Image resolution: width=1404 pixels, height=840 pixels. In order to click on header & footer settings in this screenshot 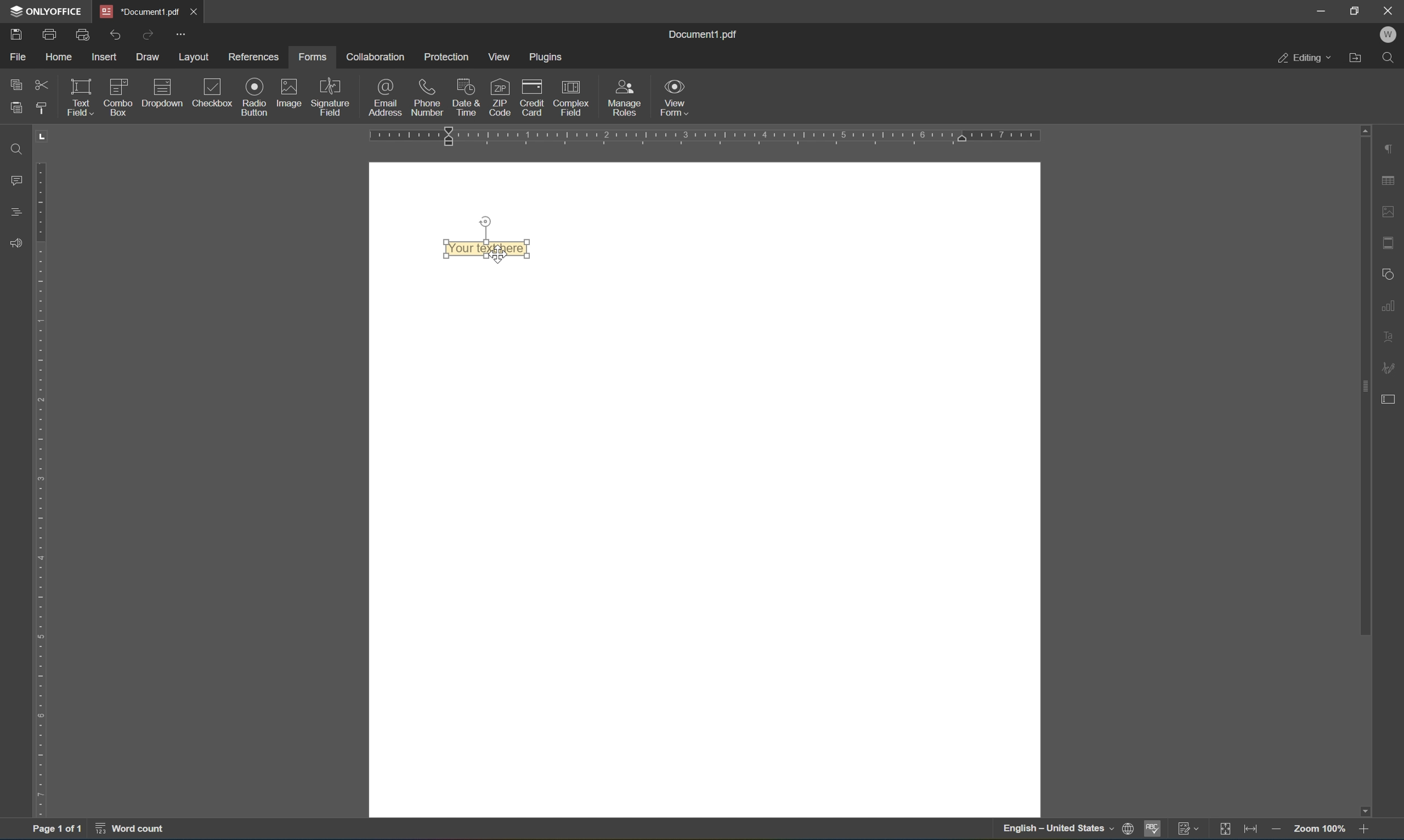, I will do `click(1389, 244)`.